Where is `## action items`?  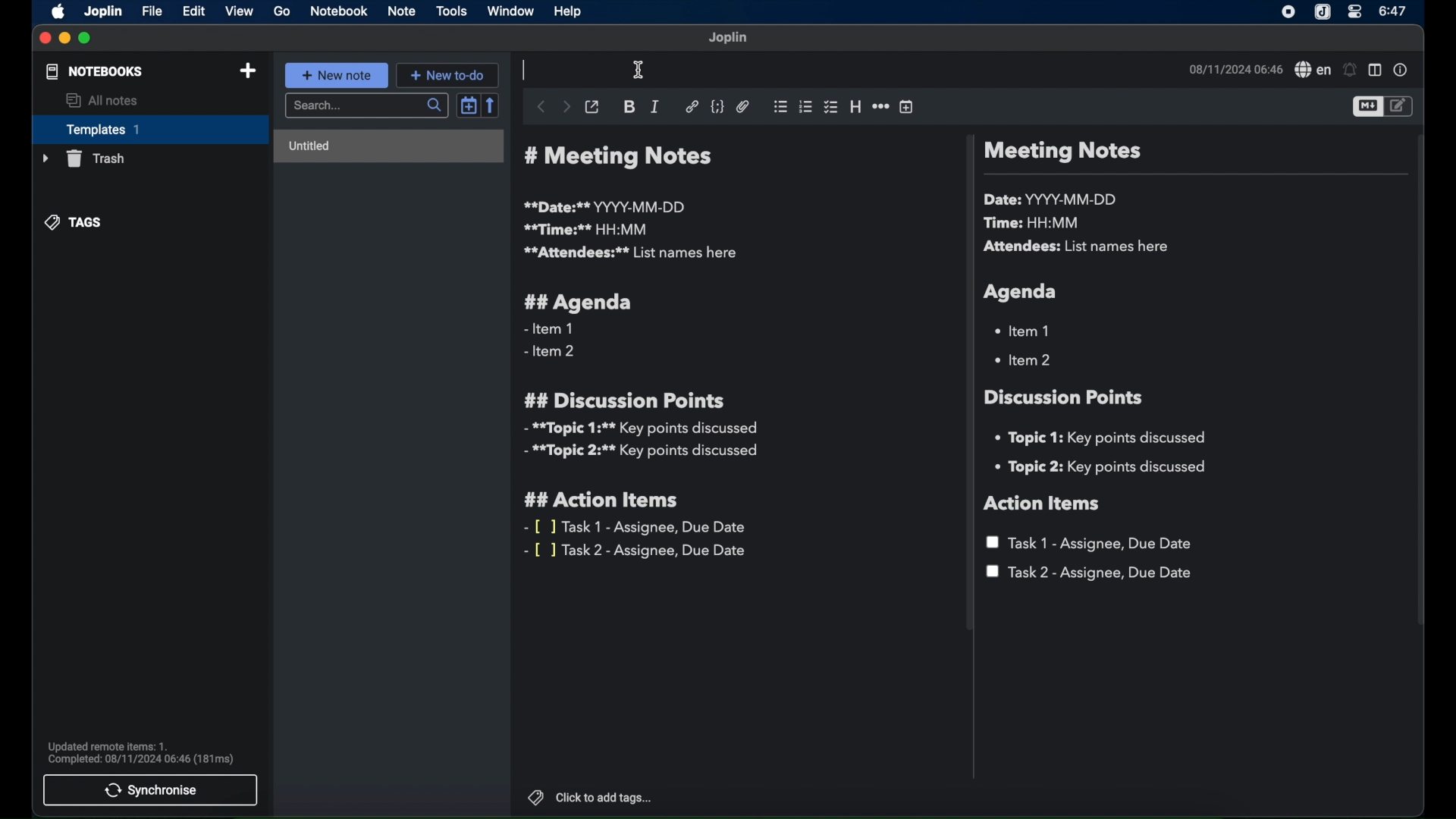
## action items is located at coordinates (605, 500).